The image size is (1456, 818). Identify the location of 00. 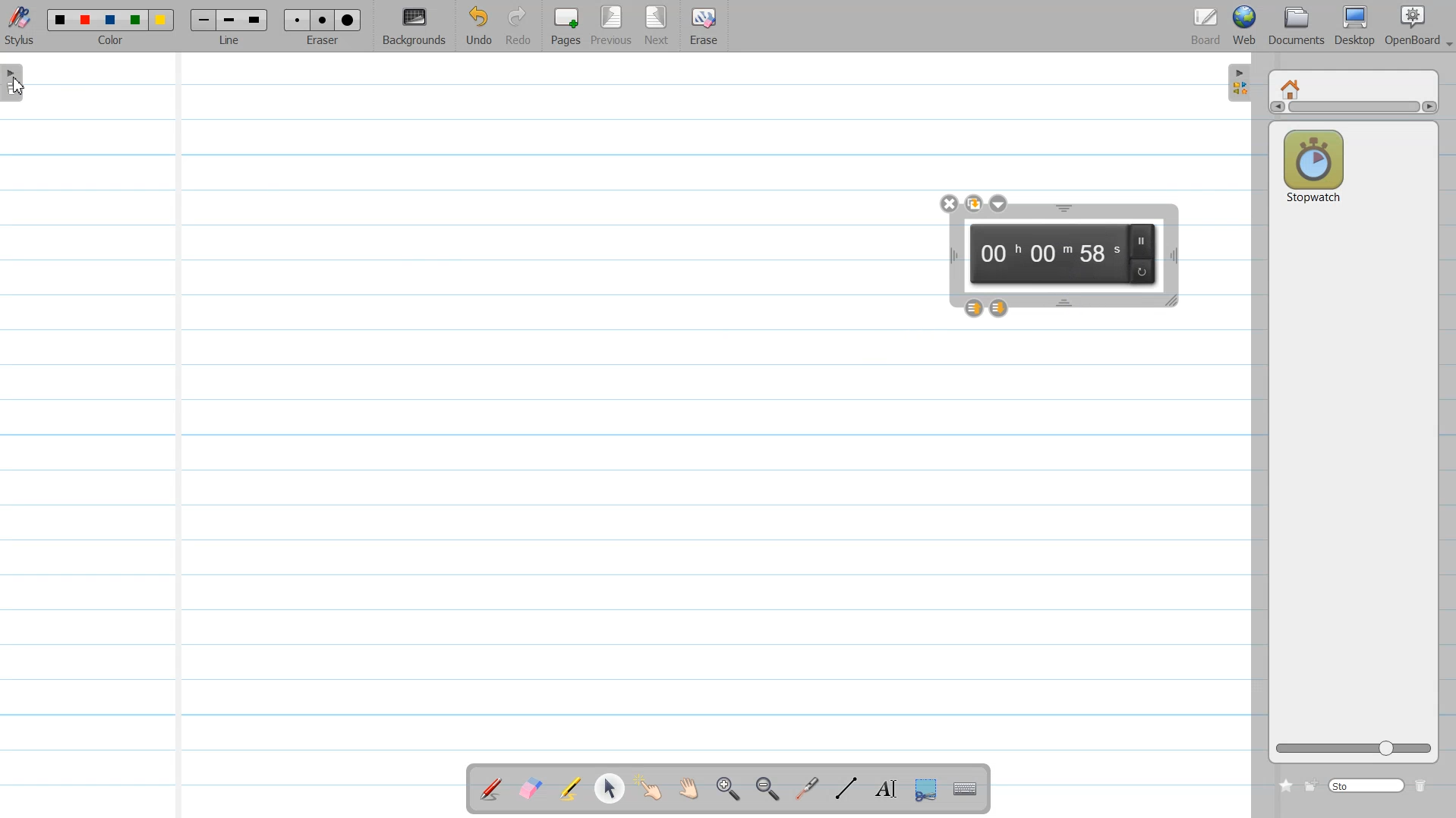
(1101, 256).